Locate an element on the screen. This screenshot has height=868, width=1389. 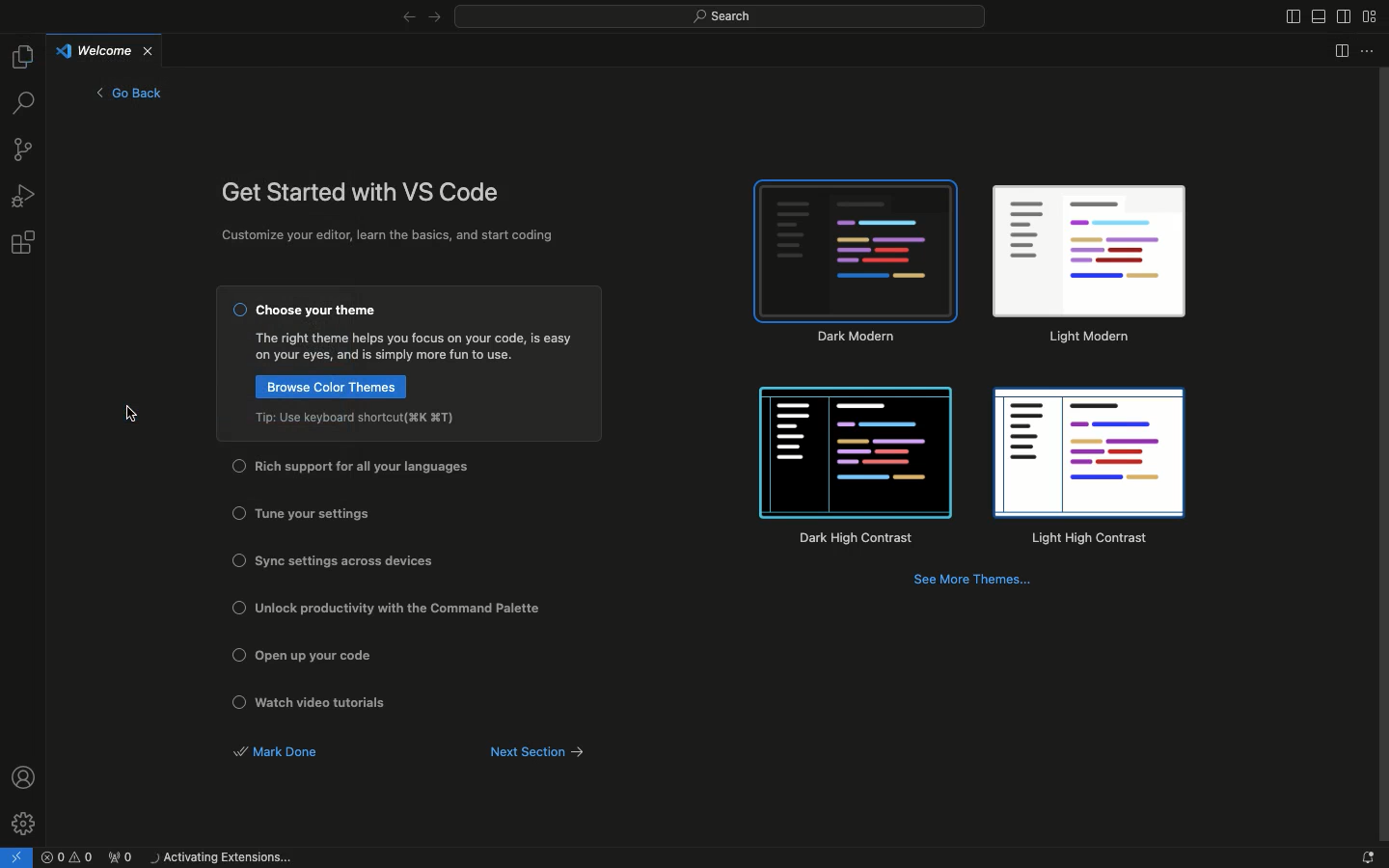
Welcome tab is located at coordinates (107, 49).